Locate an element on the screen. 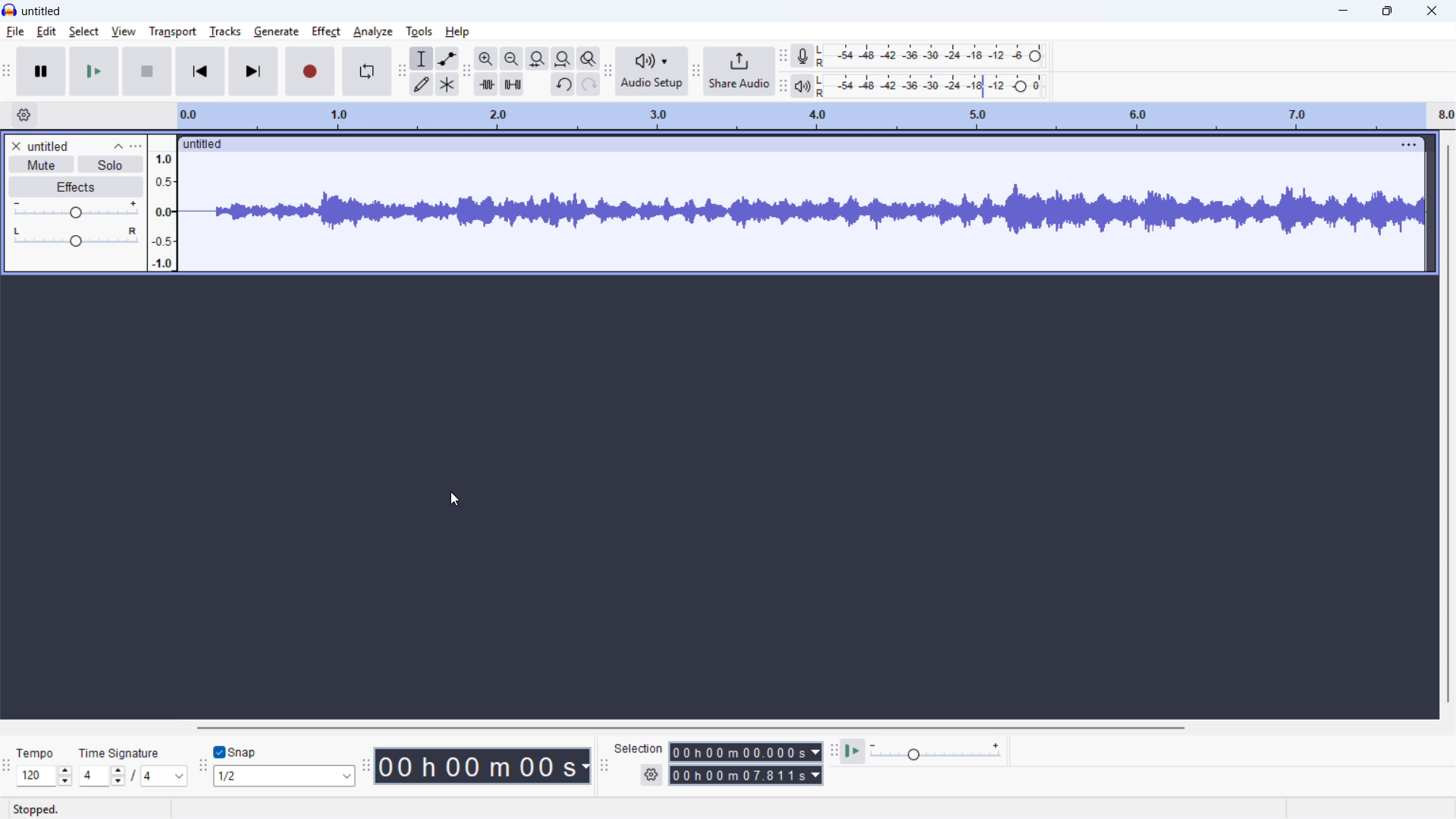 The image size is (1456, 819). edit toolbar is located at coordinates (466, 72).